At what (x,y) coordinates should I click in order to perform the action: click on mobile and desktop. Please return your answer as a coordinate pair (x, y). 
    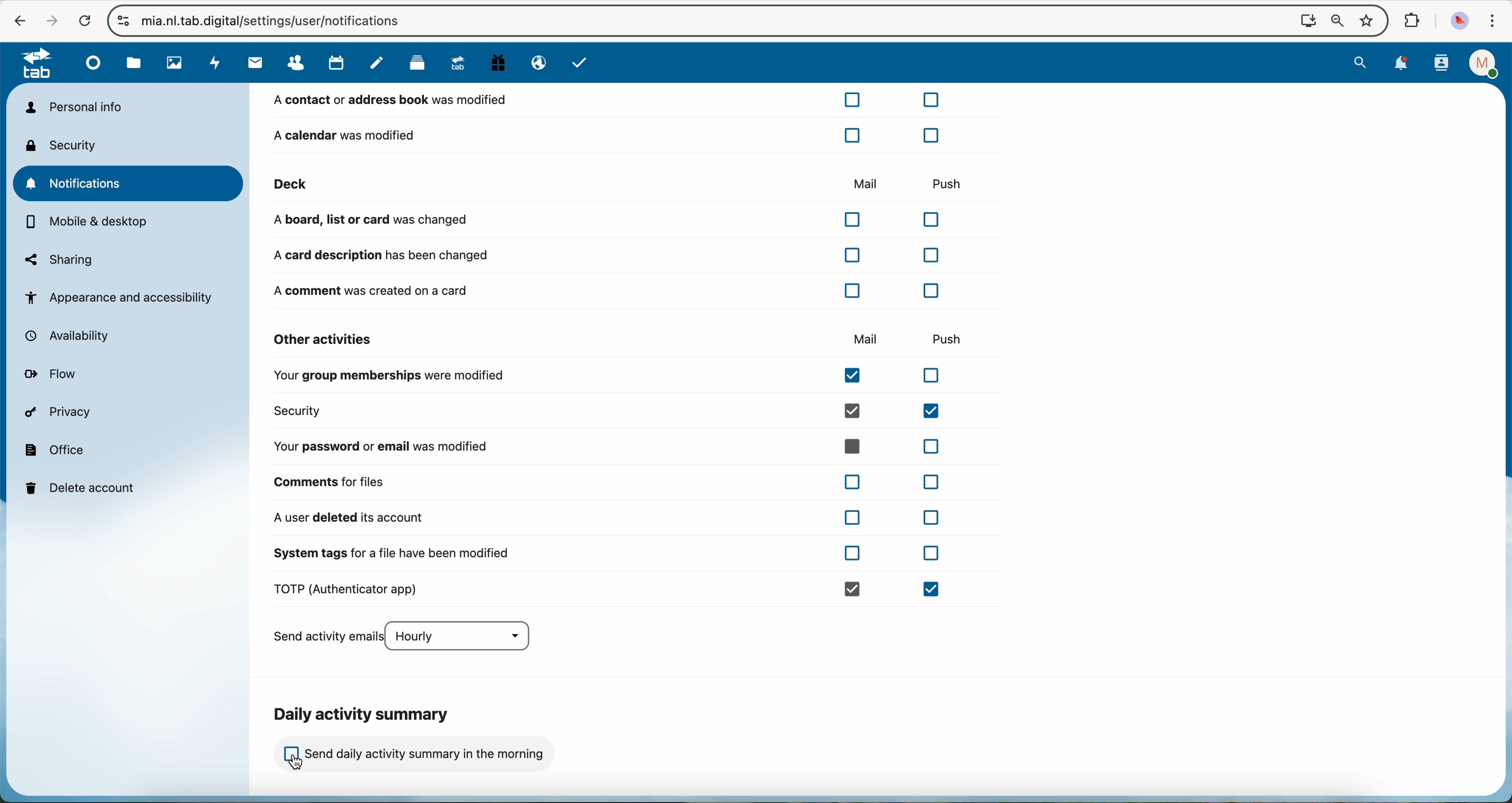
    Looking at the image, I should click on (89, 223).